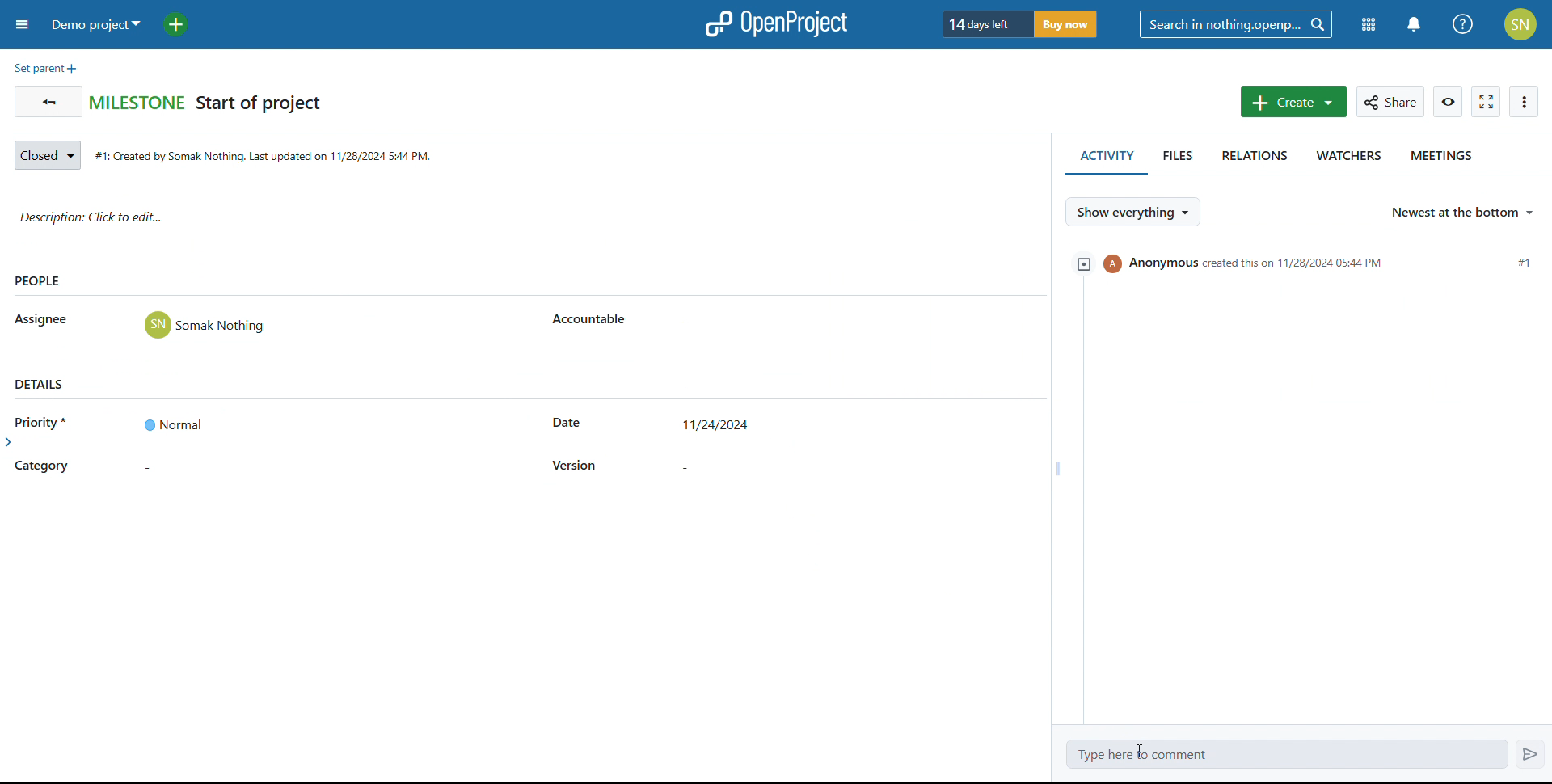  I want to click on click to add edit, so click(525, 220).